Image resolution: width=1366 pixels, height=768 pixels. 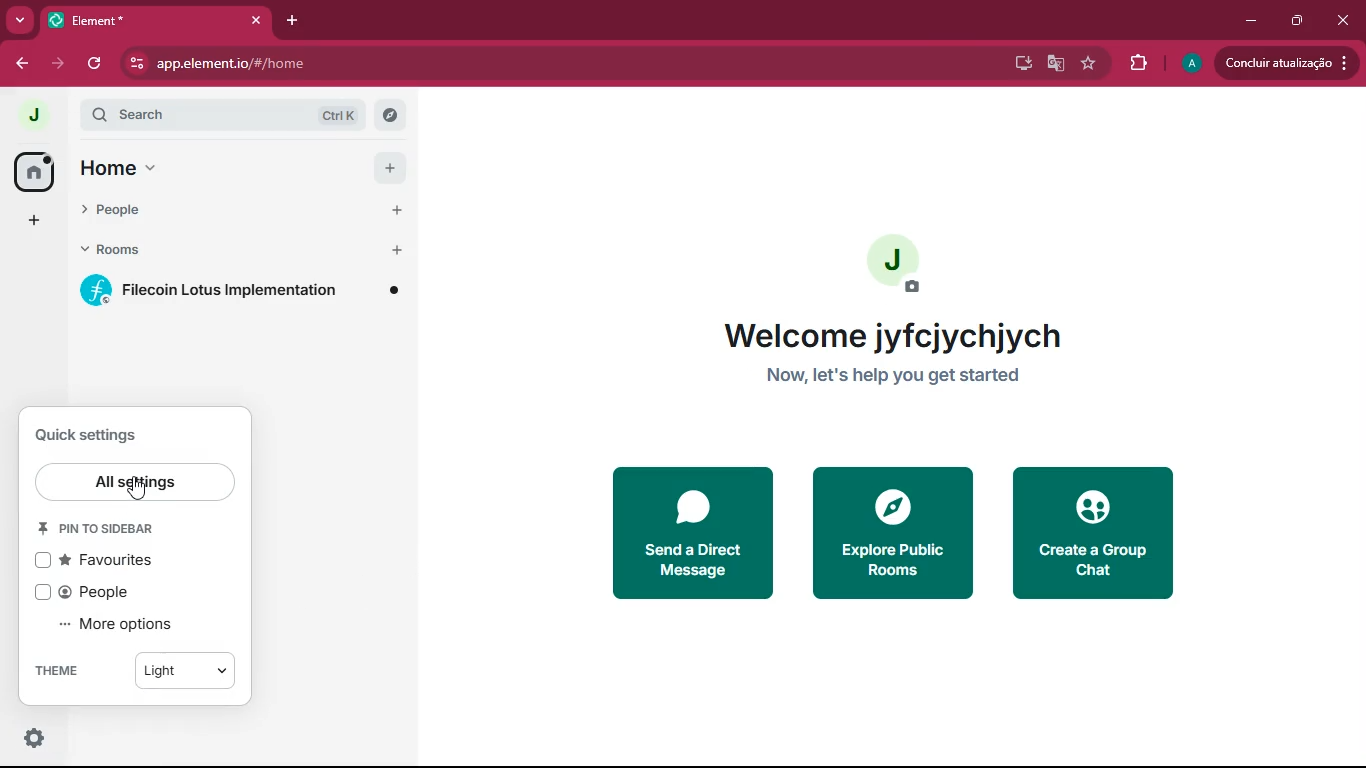 What do you see at coordinates (92, 65) in the screenshot?
I see `refresh` at bounding box center [92, 65].